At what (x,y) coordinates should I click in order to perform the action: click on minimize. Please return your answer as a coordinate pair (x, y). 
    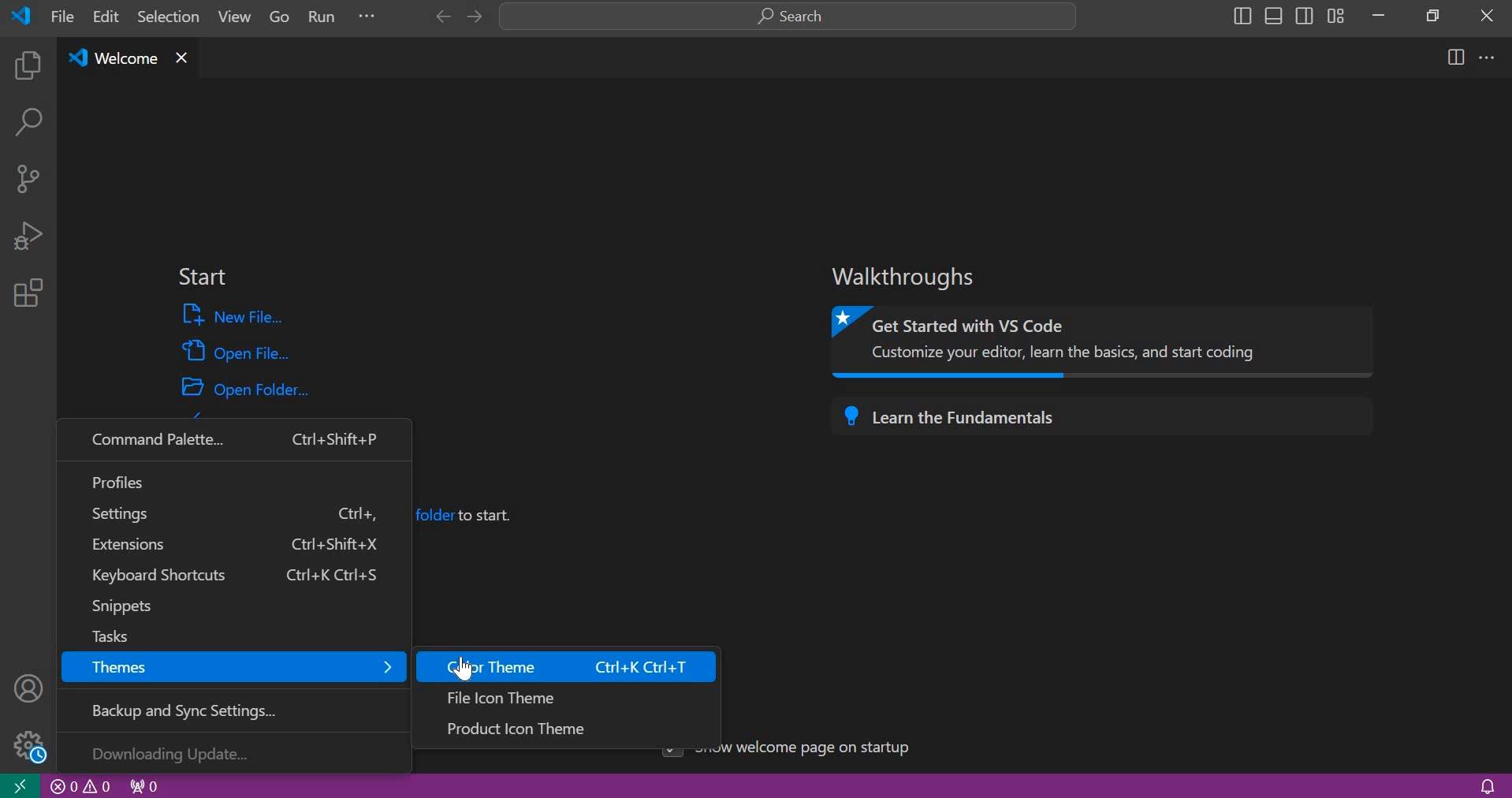
    Looking at the image, I should click on (1378, 15).